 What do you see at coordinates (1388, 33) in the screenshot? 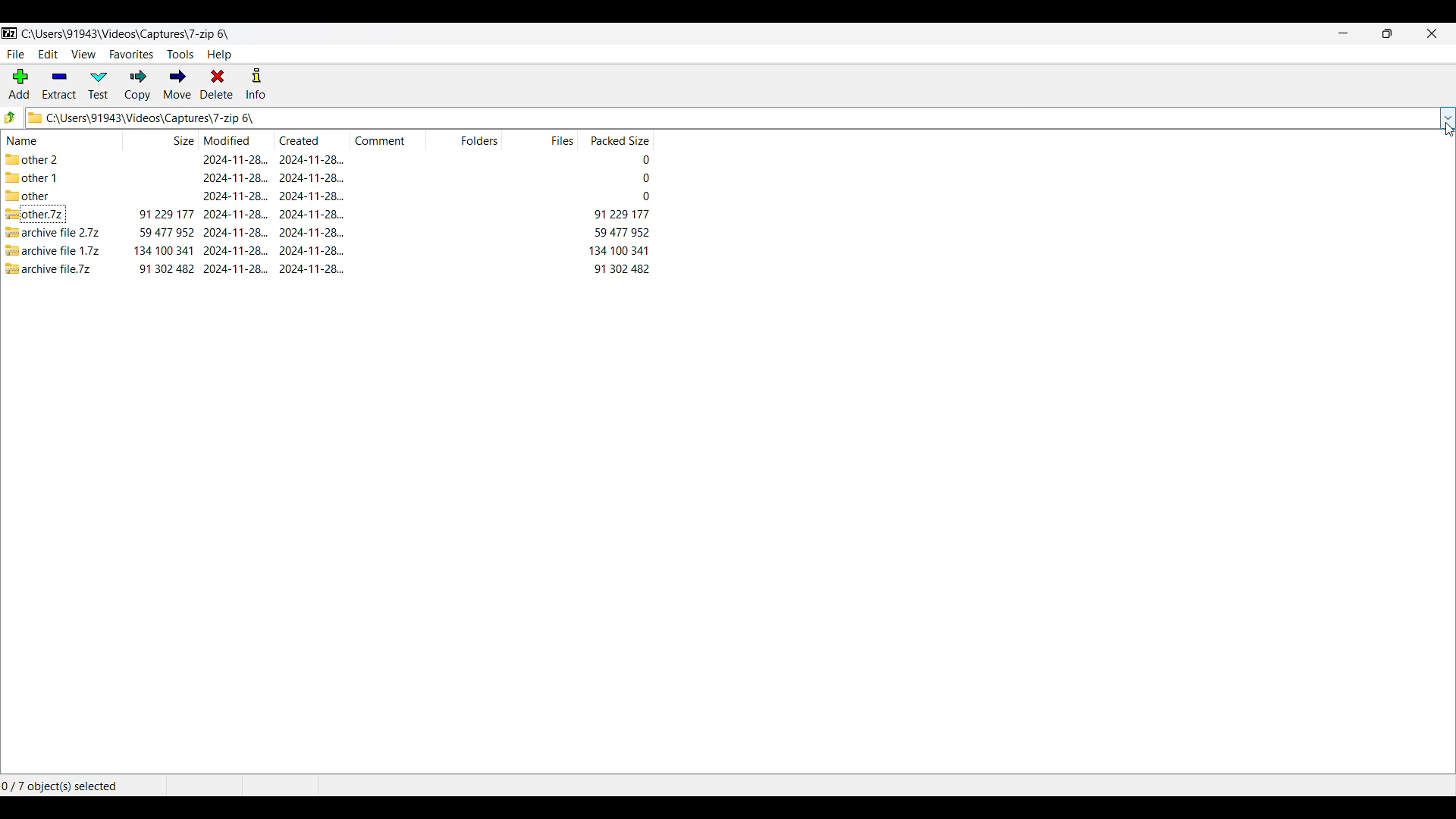
I see `Show interface in a smaller tab` at bounding box center [1388, 33].